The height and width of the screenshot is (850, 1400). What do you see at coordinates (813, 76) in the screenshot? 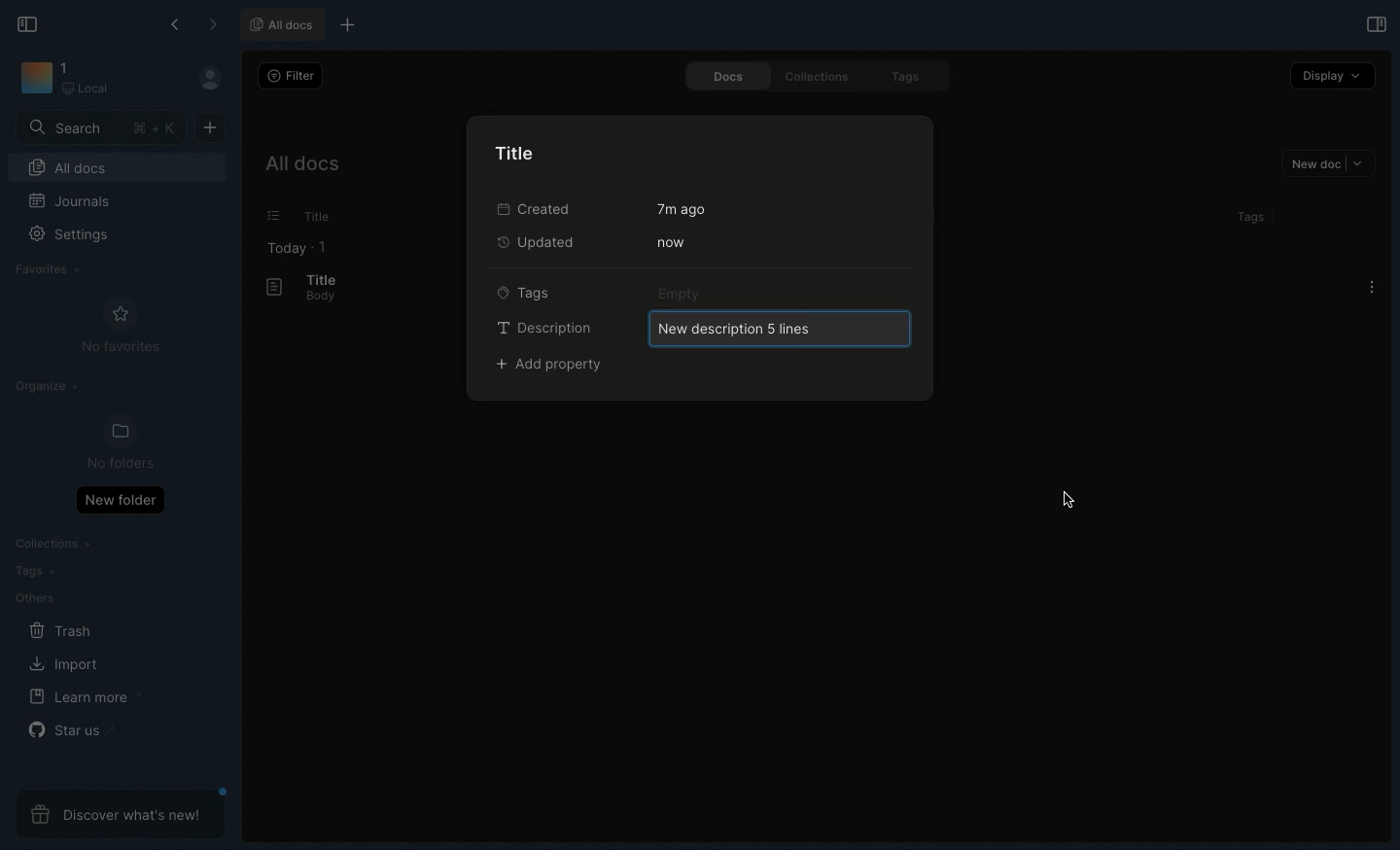
I see `Collections` at bounding box center [813, 76].